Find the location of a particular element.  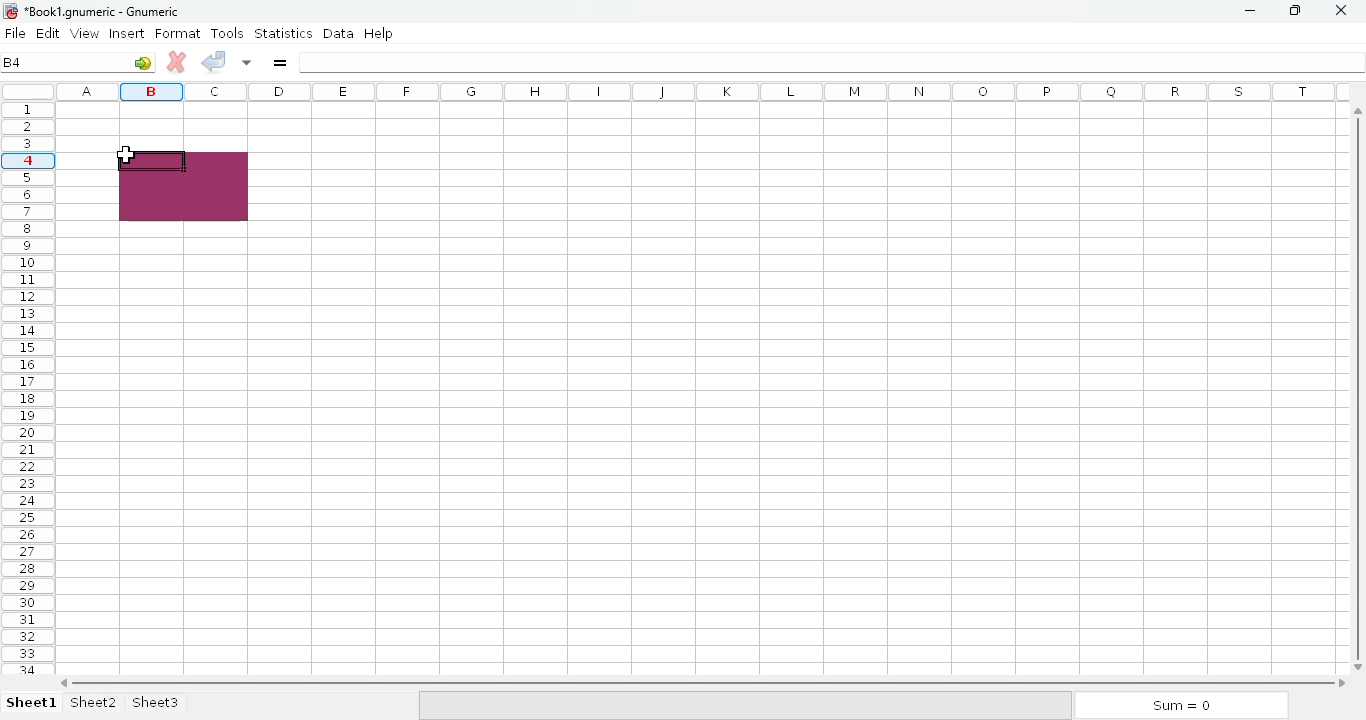

sheet 1 is located at coordinates (31, 702).